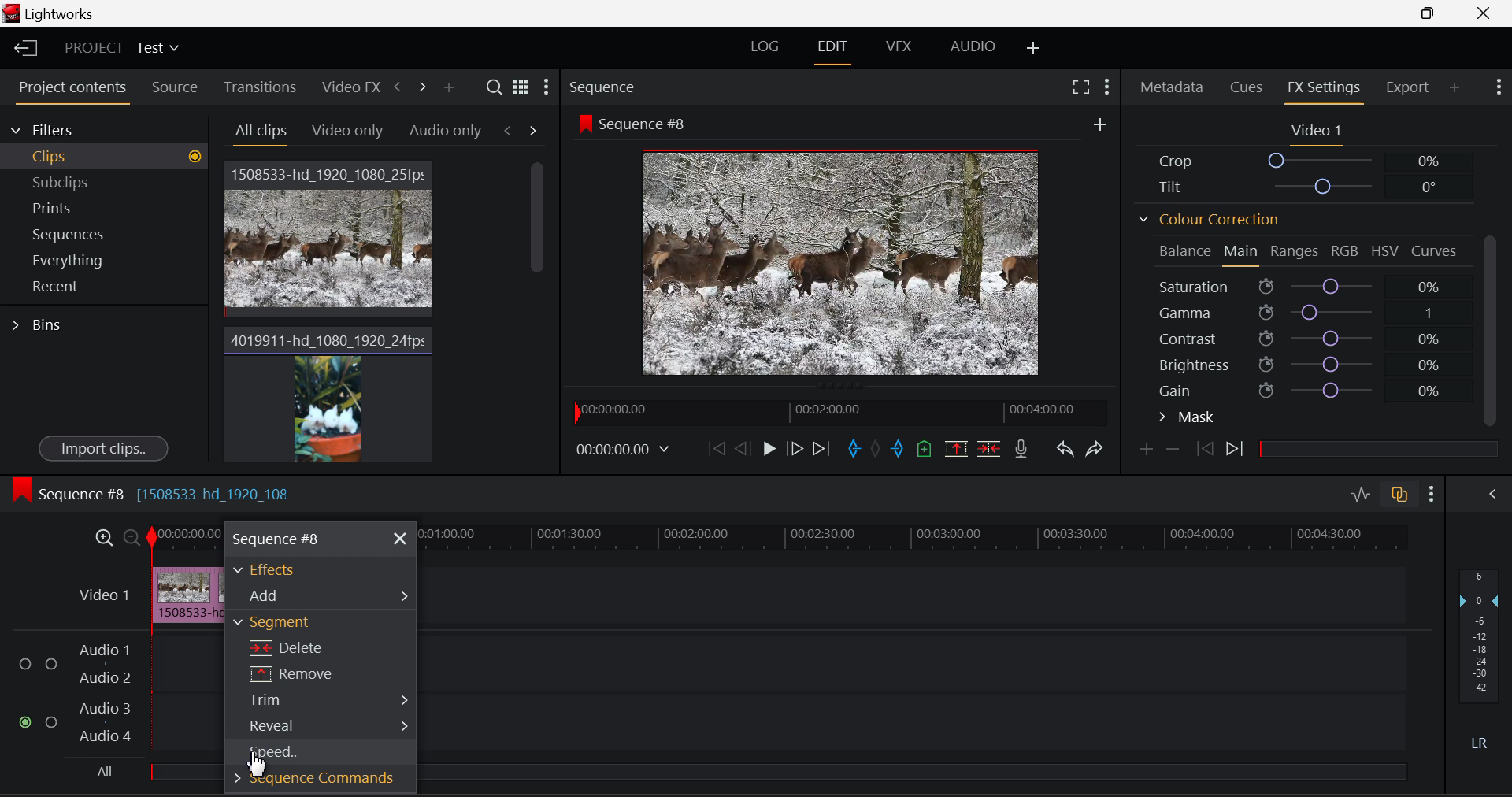 The width and height of the screenshot is (1512, 797). Describe the element at coordinates (621, 447) in the screenshot. I see `Video Frame Time` at that location.